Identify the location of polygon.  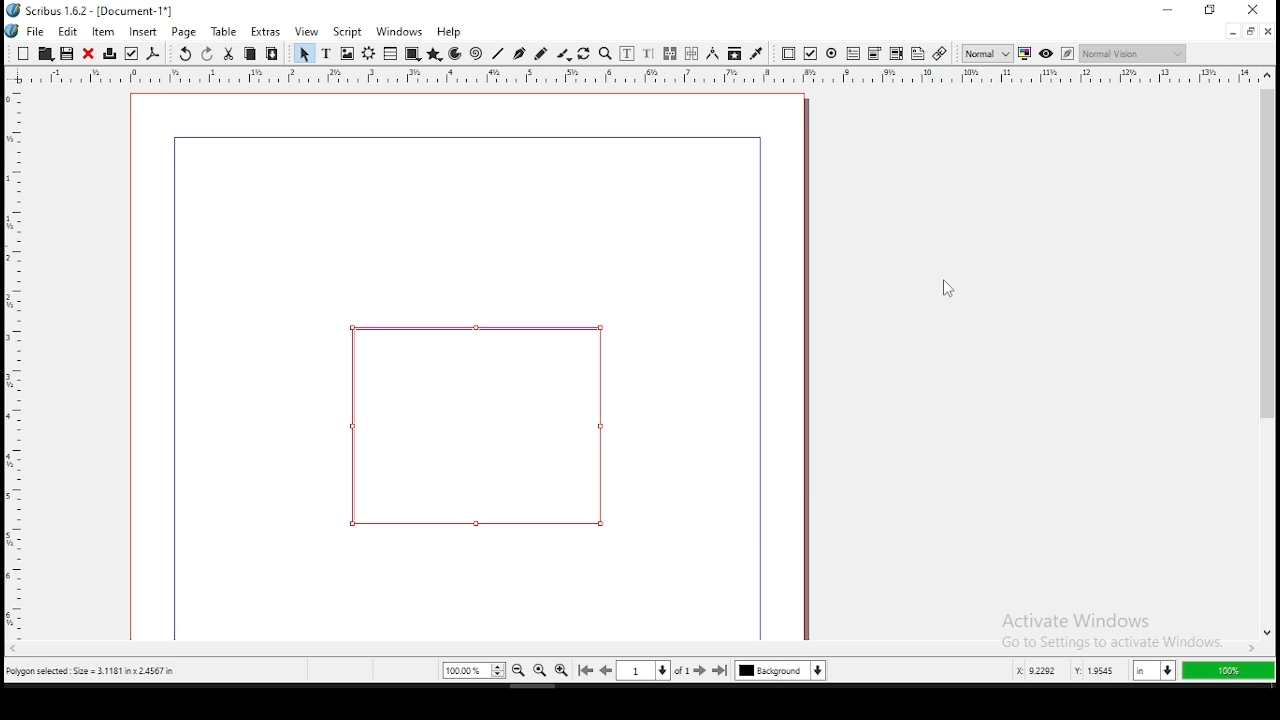
(435, 55).